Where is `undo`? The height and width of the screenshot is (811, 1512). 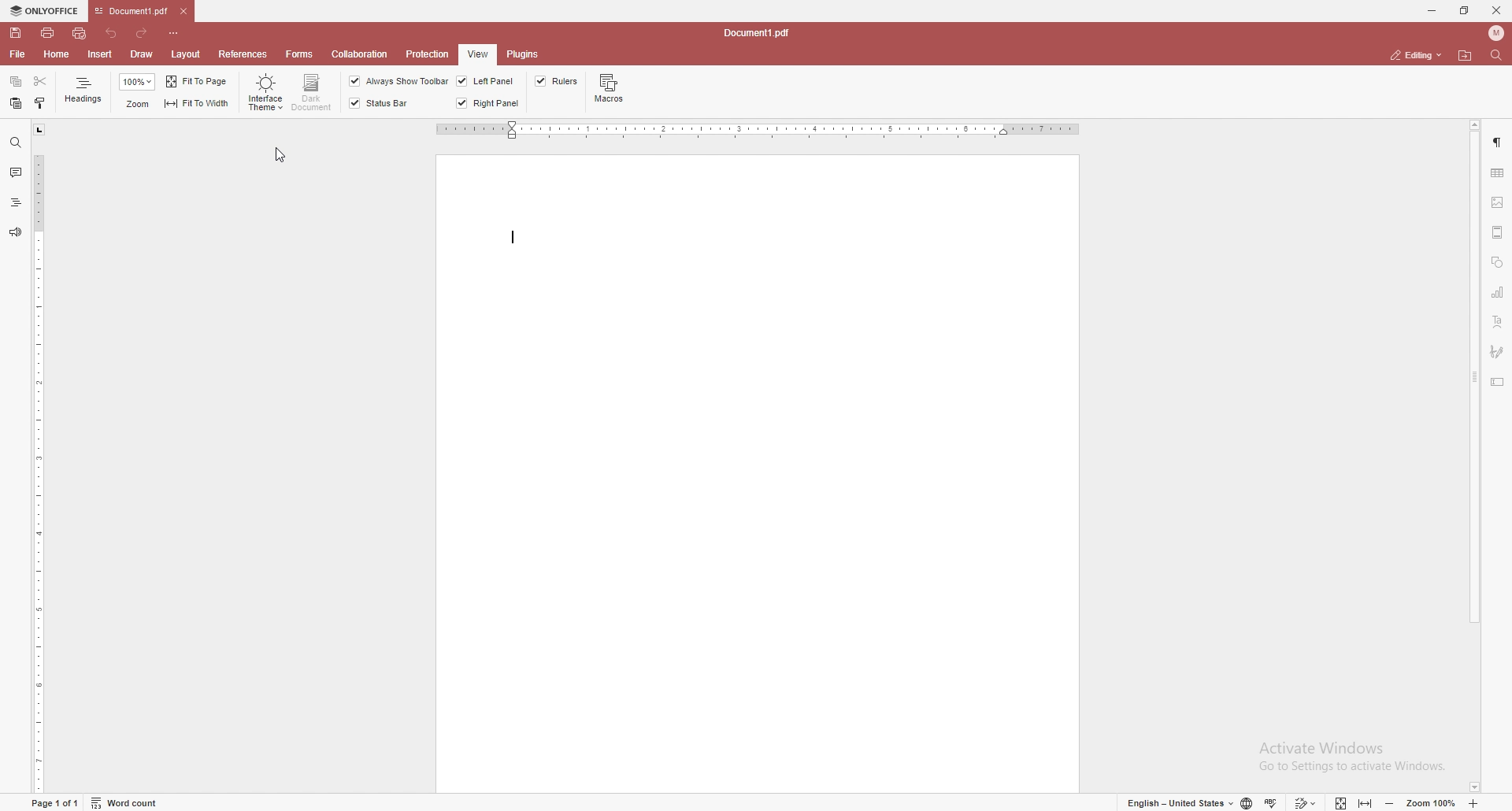
undo is located at coordinates (112, 33).